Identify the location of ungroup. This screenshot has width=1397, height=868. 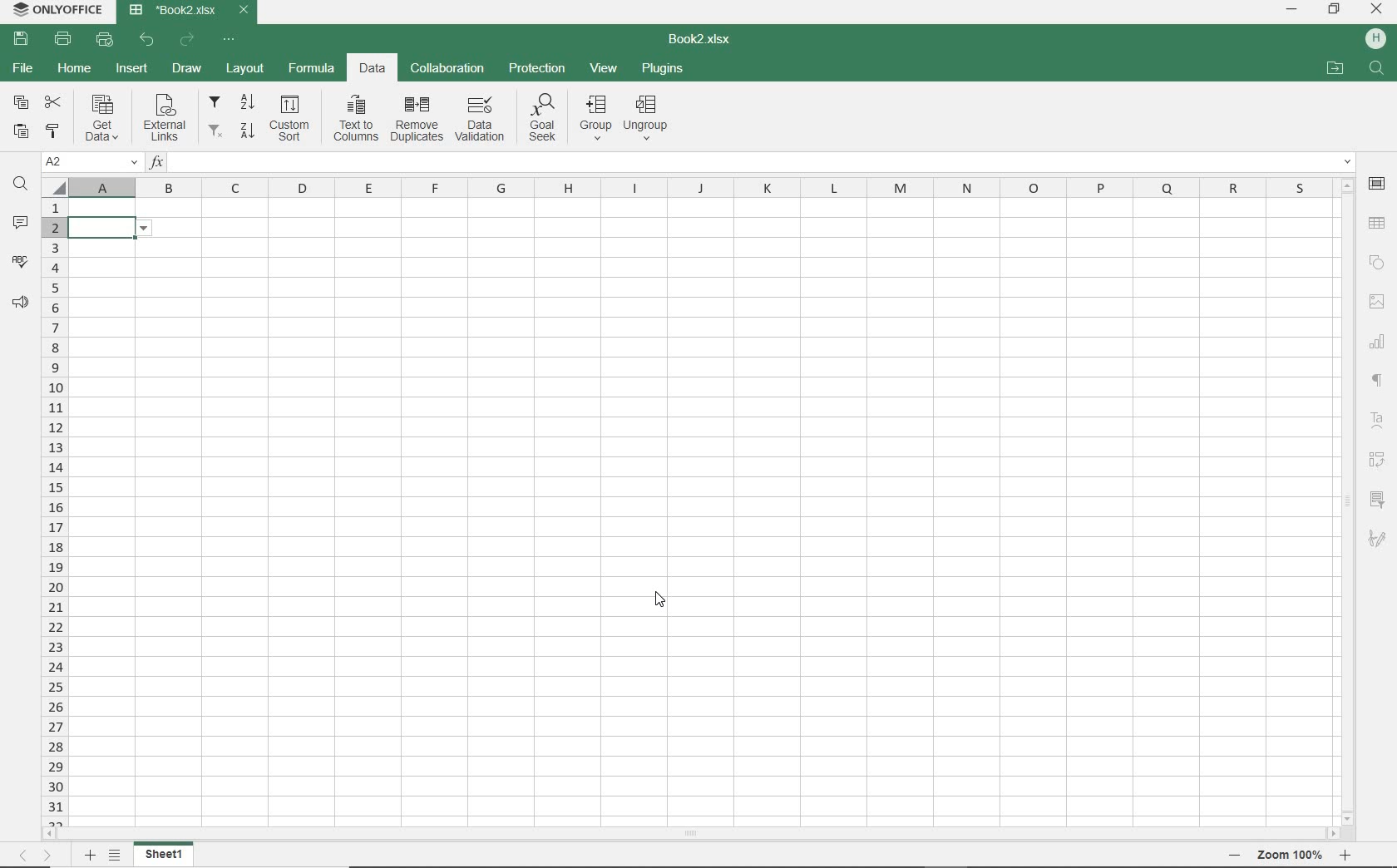
(645, 118).